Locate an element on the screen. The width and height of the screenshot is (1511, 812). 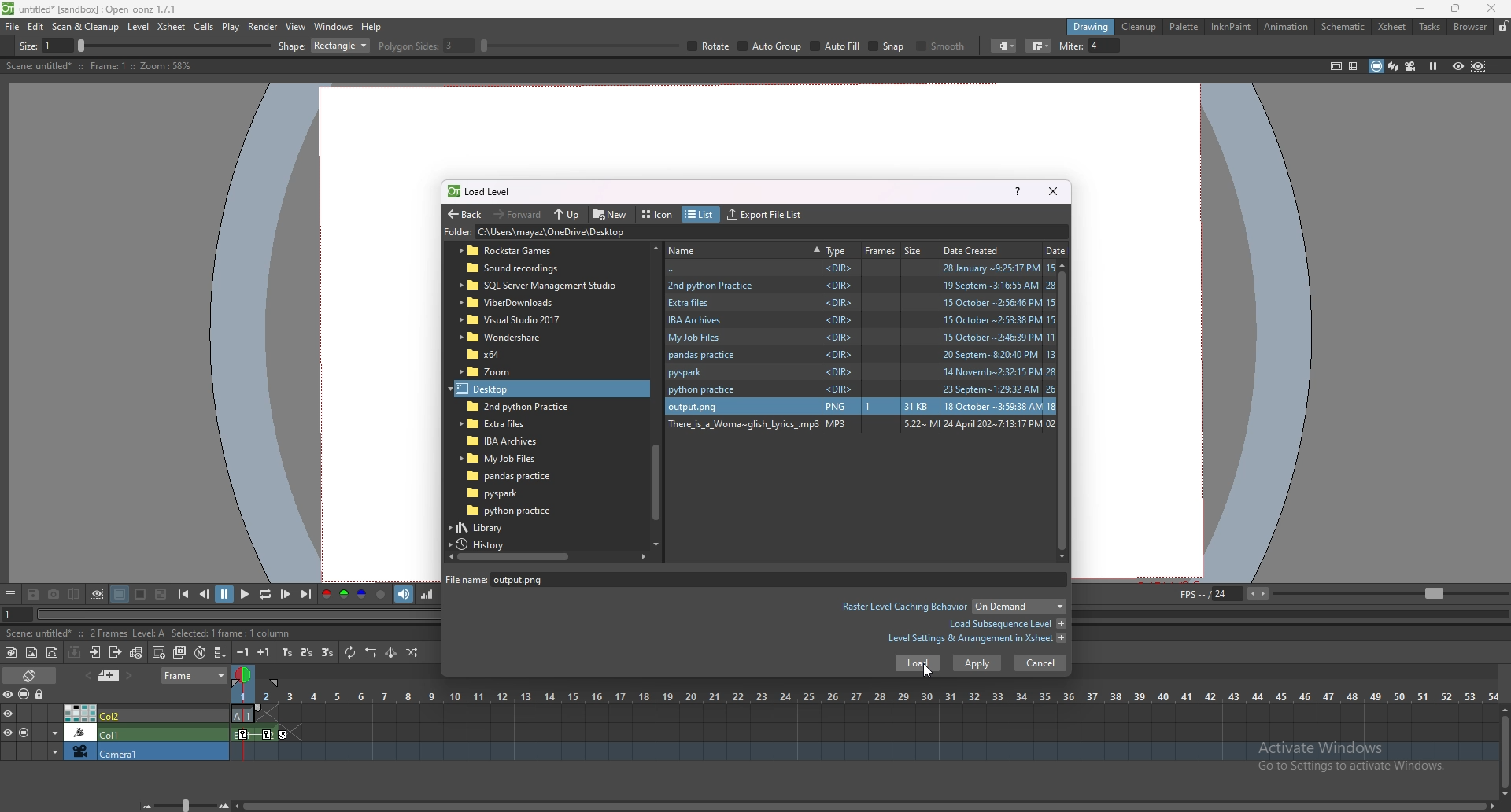
ploygon slides is located at coordinates (742, 46).